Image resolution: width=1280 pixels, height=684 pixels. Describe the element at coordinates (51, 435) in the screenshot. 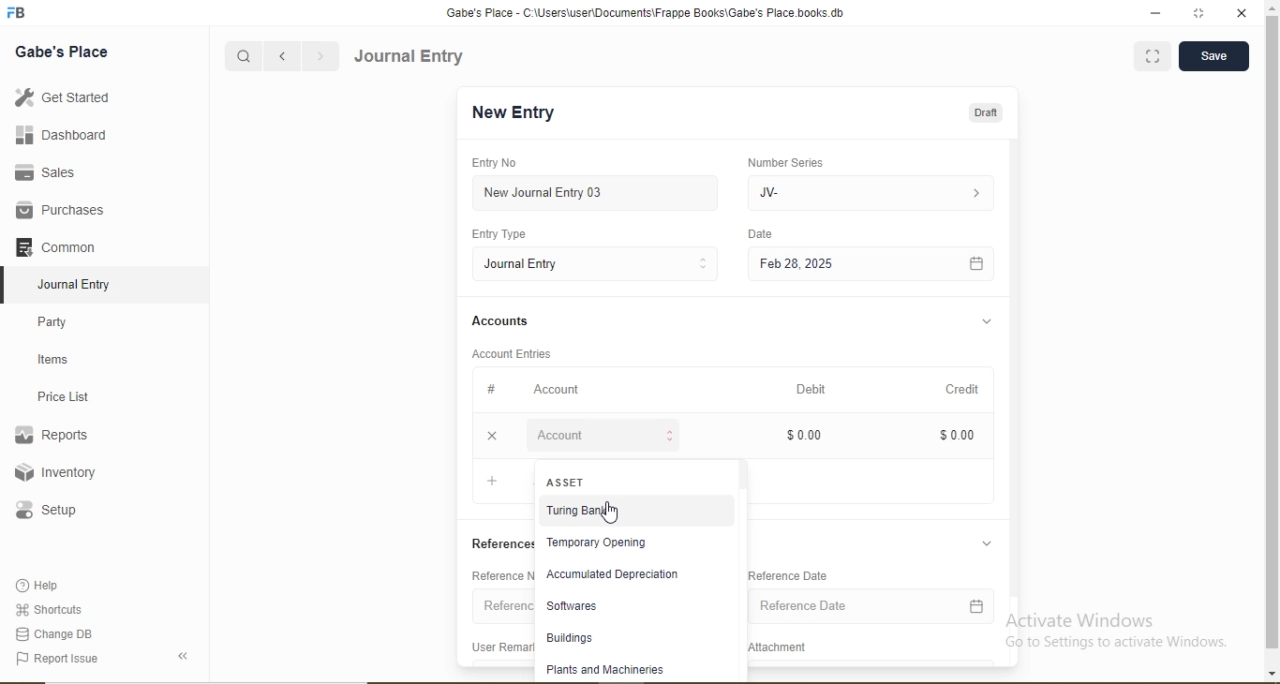

I see `Reports` at that location.